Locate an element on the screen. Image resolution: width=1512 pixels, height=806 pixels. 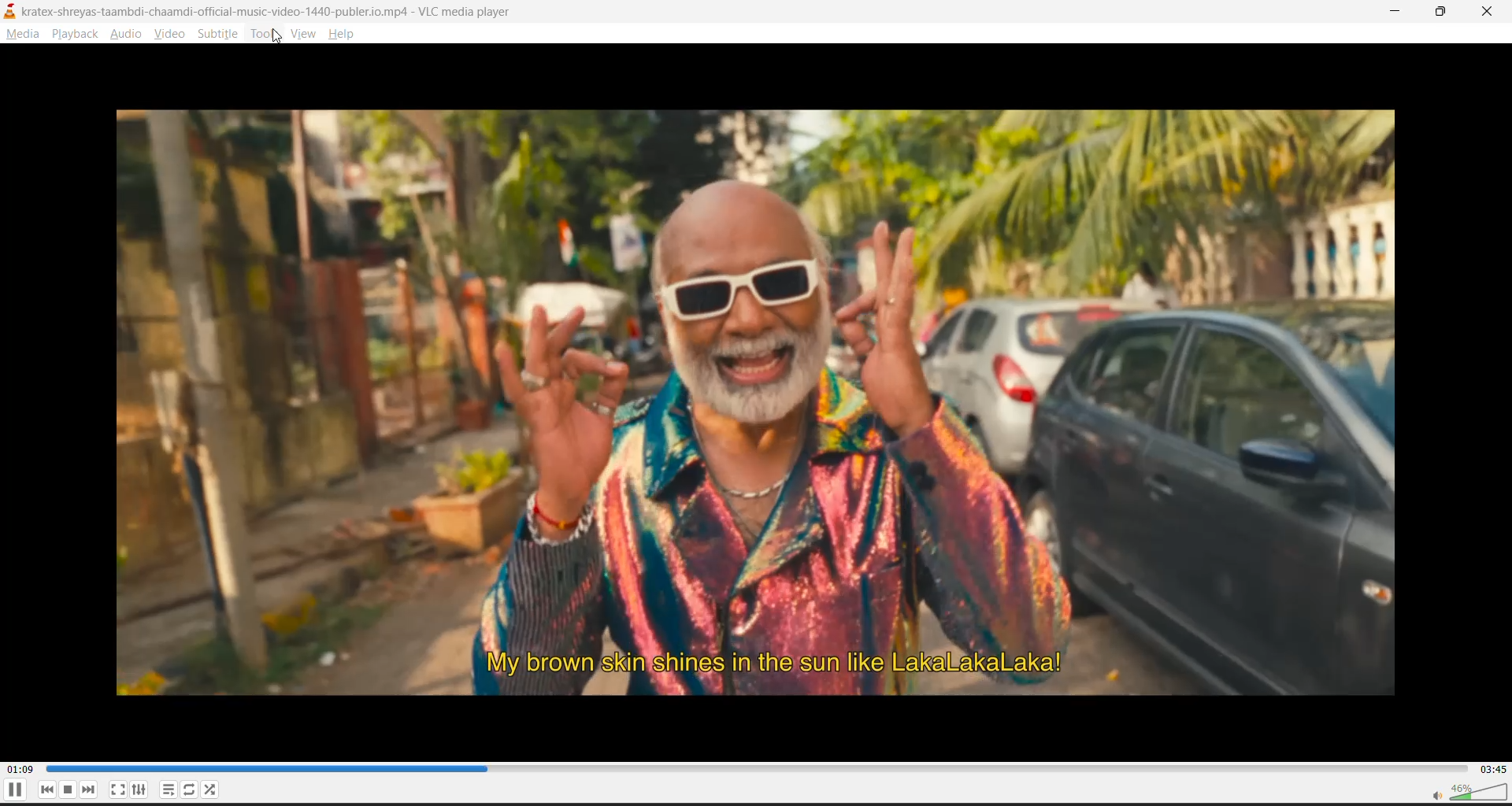
video is located at coordinates (173, 34).